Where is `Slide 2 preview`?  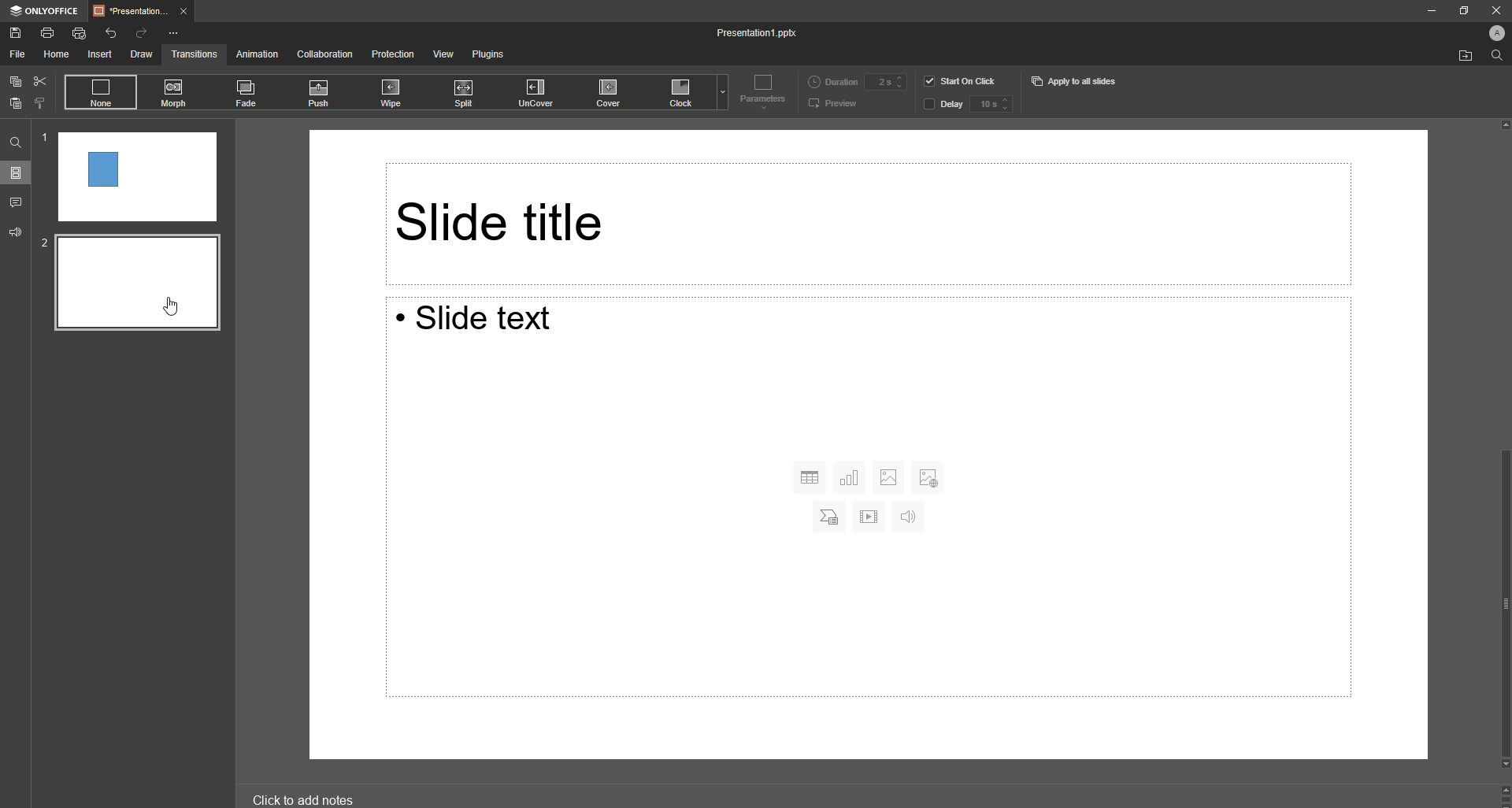 Slide 2 preview is located at coordinates (135, 286).